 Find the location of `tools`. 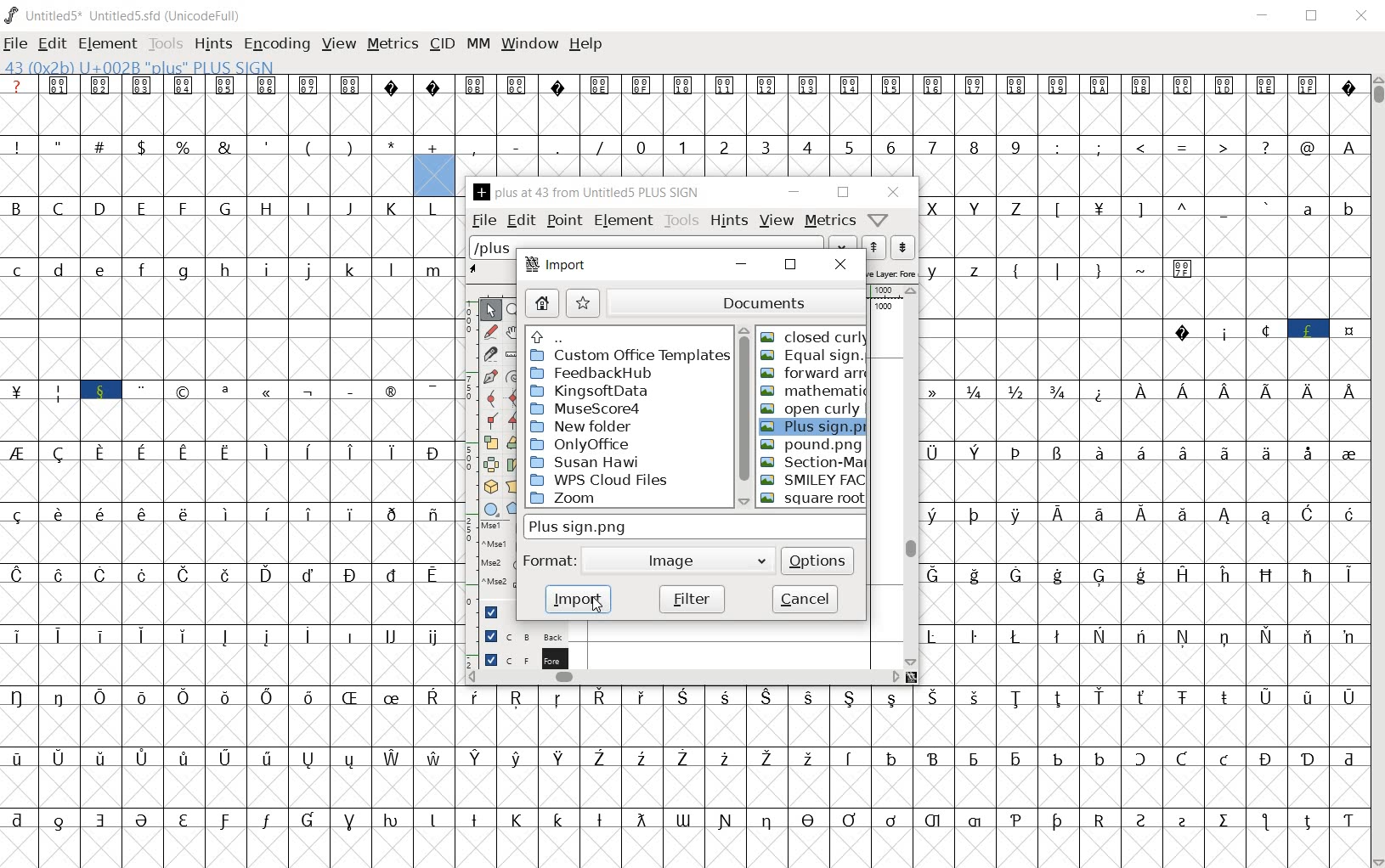

tools is located at coordinates (164, 42).